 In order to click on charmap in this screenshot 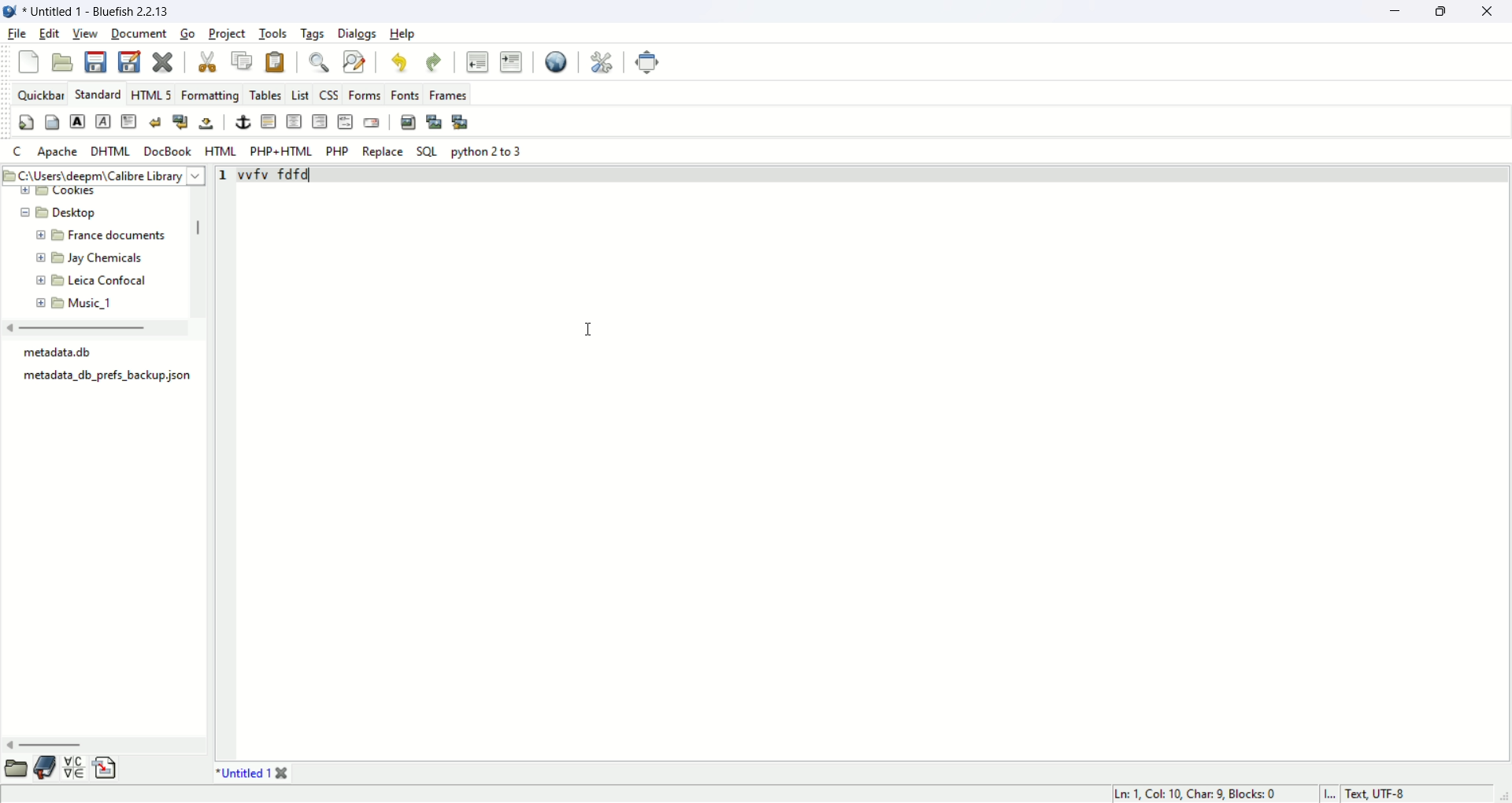, I will do `click(72, 770)`.